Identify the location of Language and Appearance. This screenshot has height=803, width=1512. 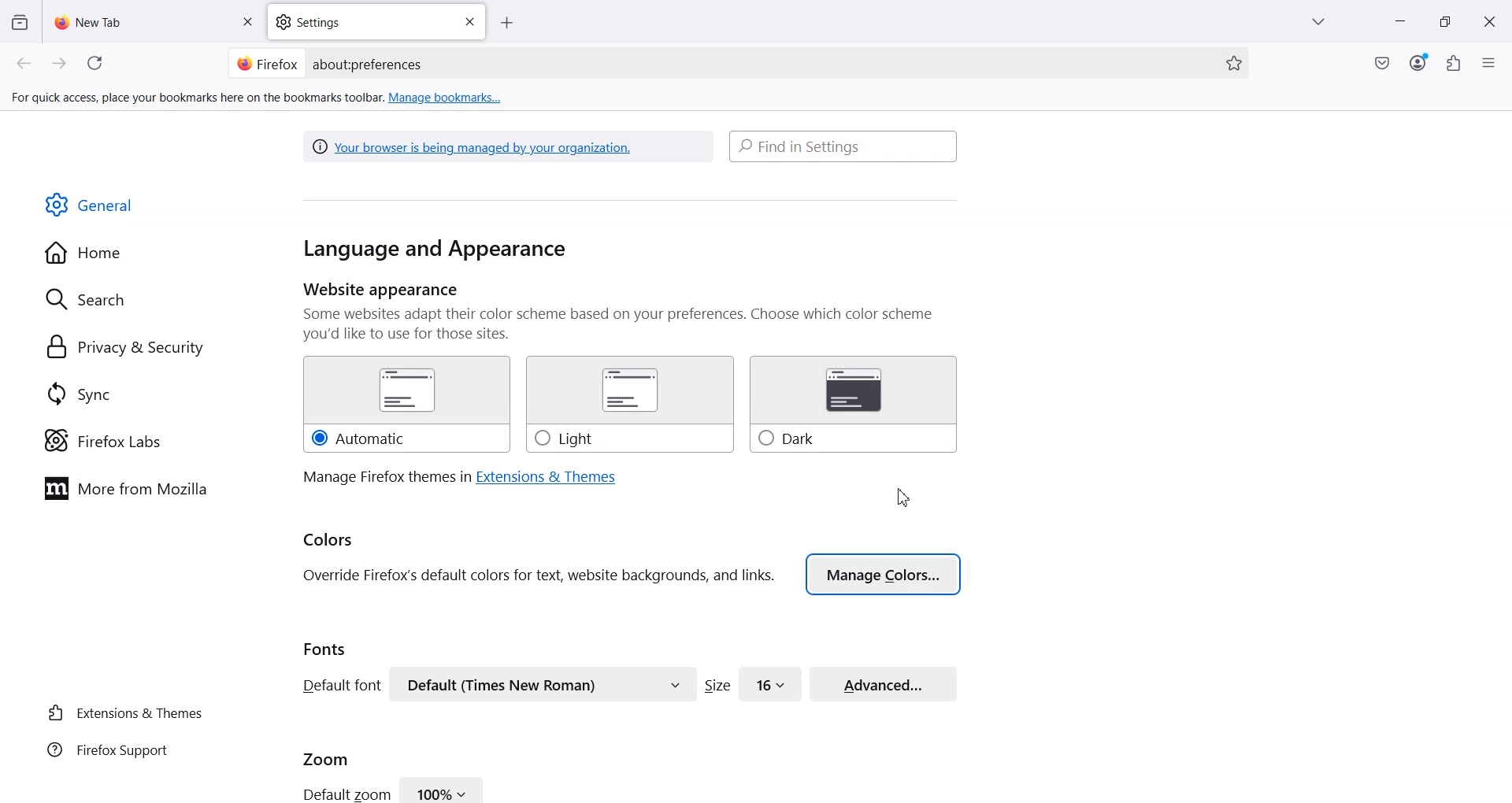
(435, 250).